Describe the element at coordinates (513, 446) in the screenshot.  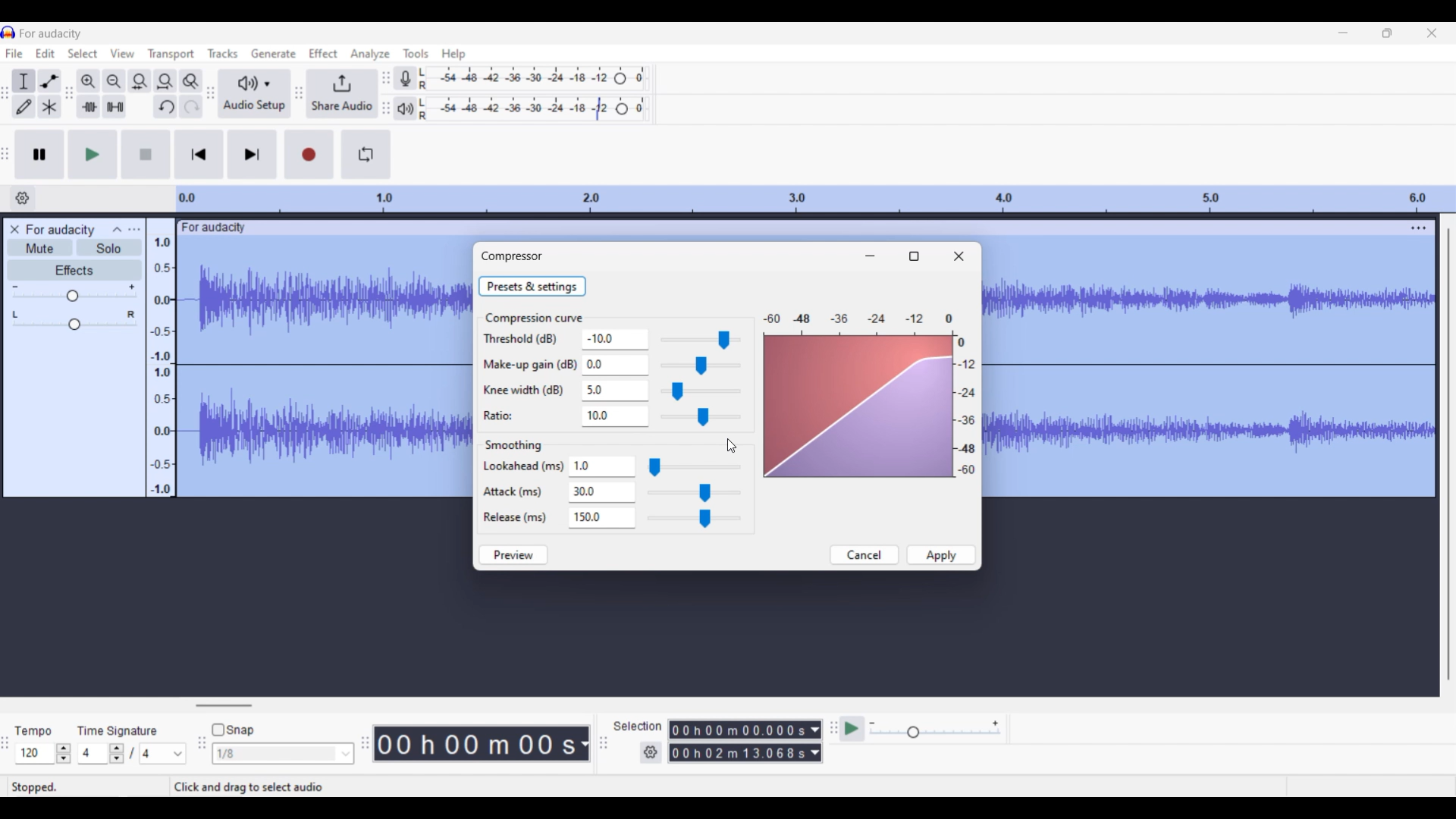
I see `Smoothing` at that location.